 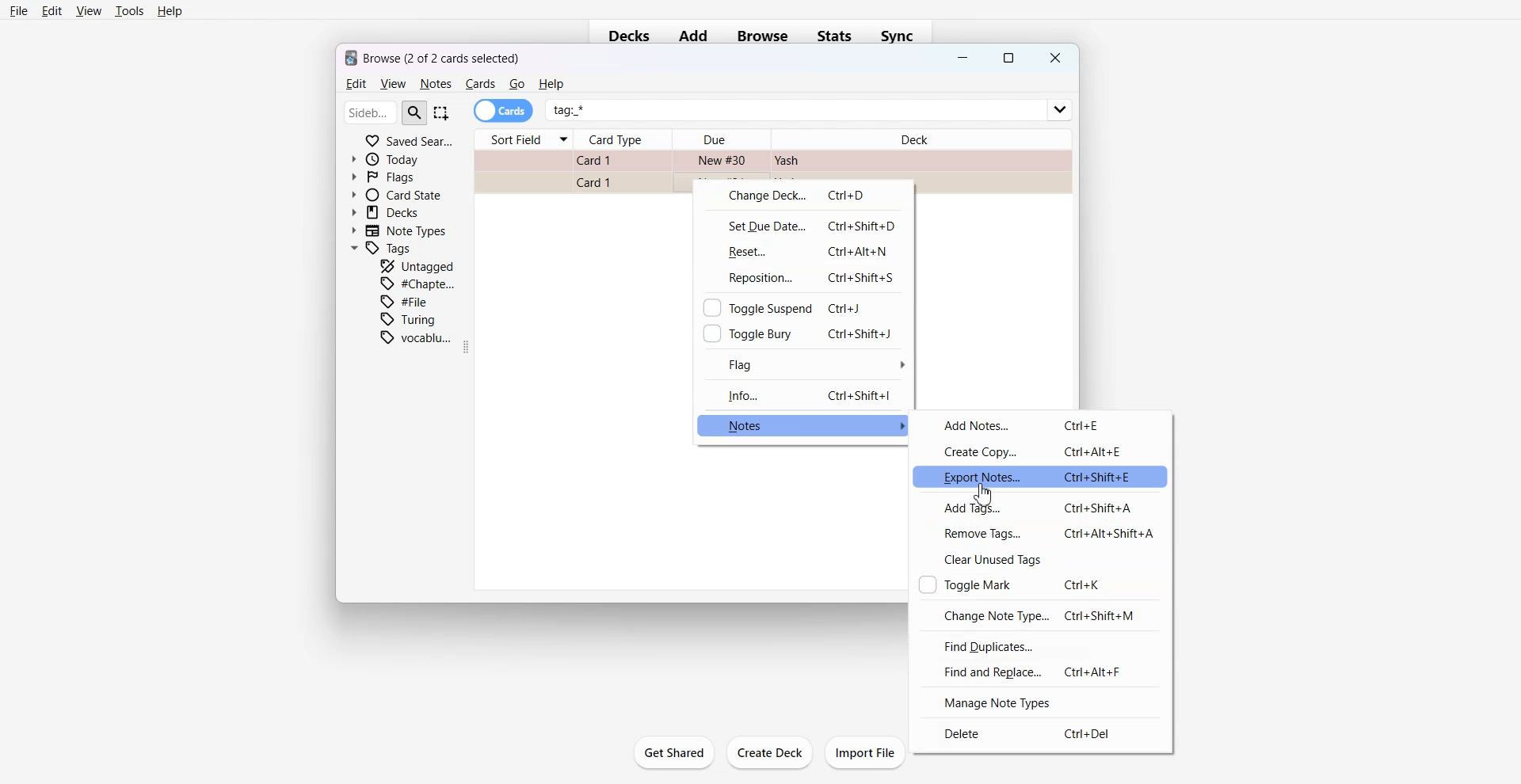 I want to click on Create Deck, so click(x=770, y=753).